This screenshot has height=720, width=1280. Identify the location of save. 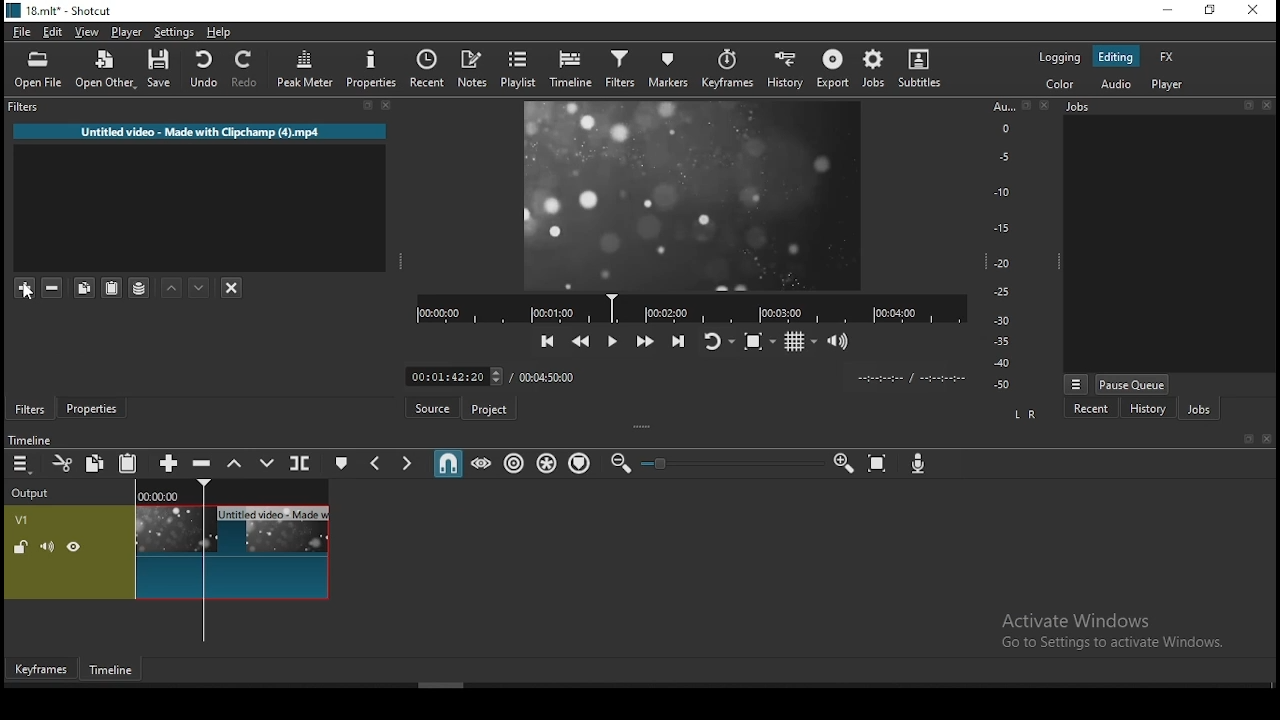
(159, 68).